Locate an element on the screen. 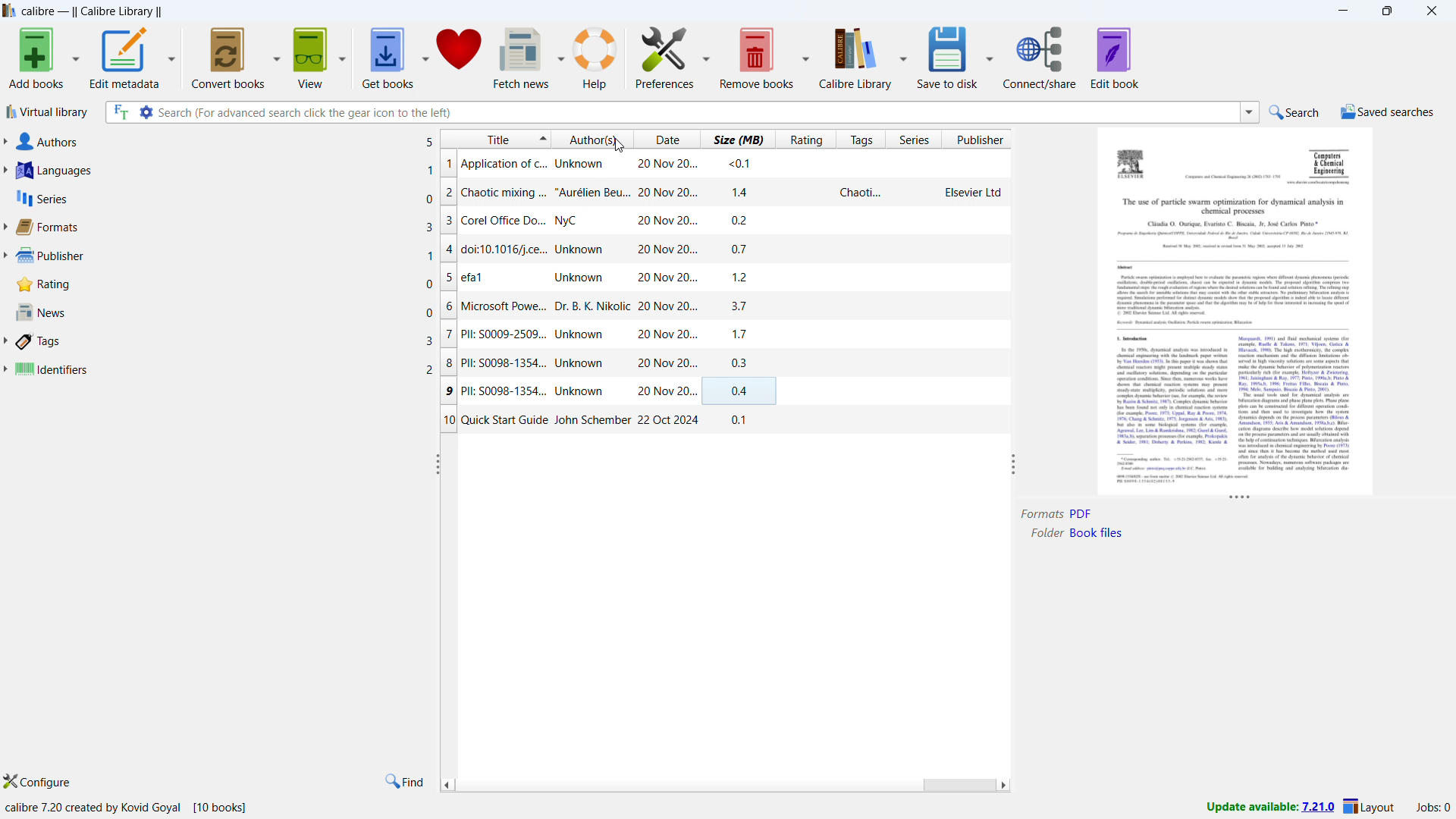 Image resolution: width=1456 pixels, height=819 pixels. 14 is located at coordinates (740, 193).